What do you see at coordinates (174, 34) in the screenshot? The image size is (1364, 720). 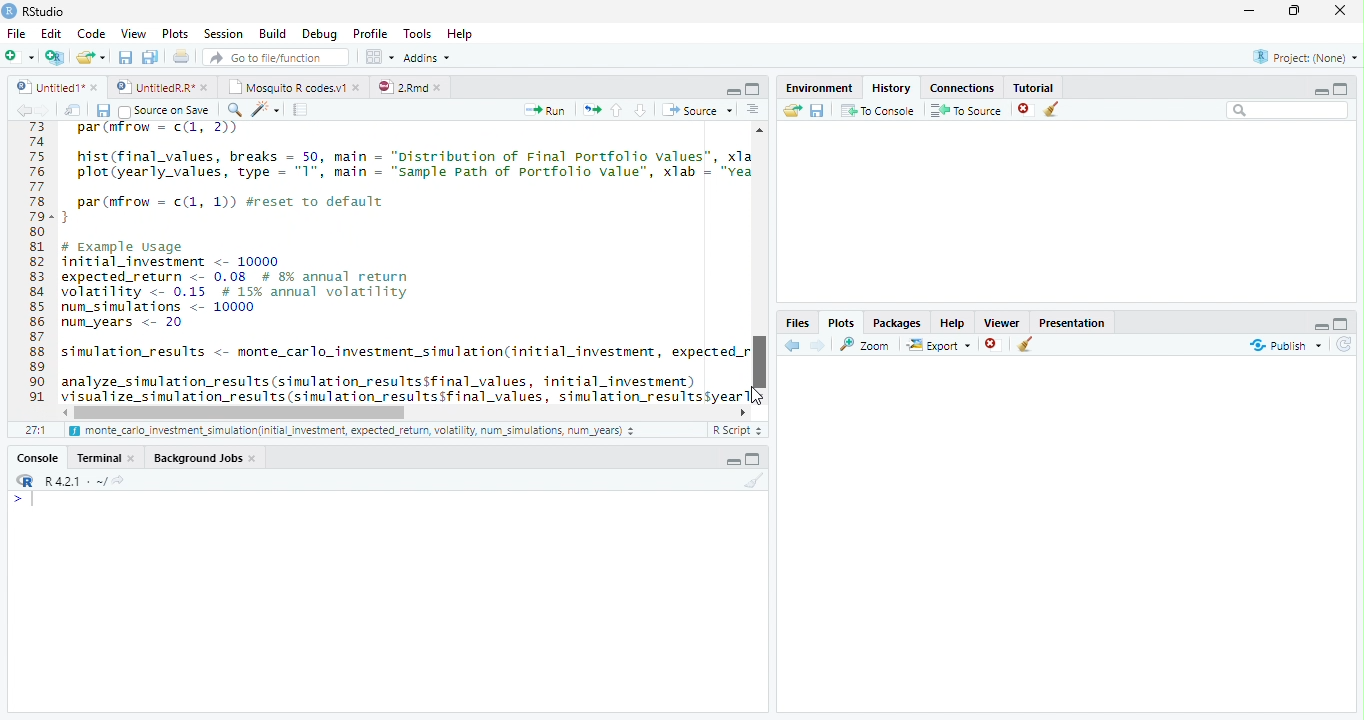 I see `Plots` at bounding box center [174, 34].